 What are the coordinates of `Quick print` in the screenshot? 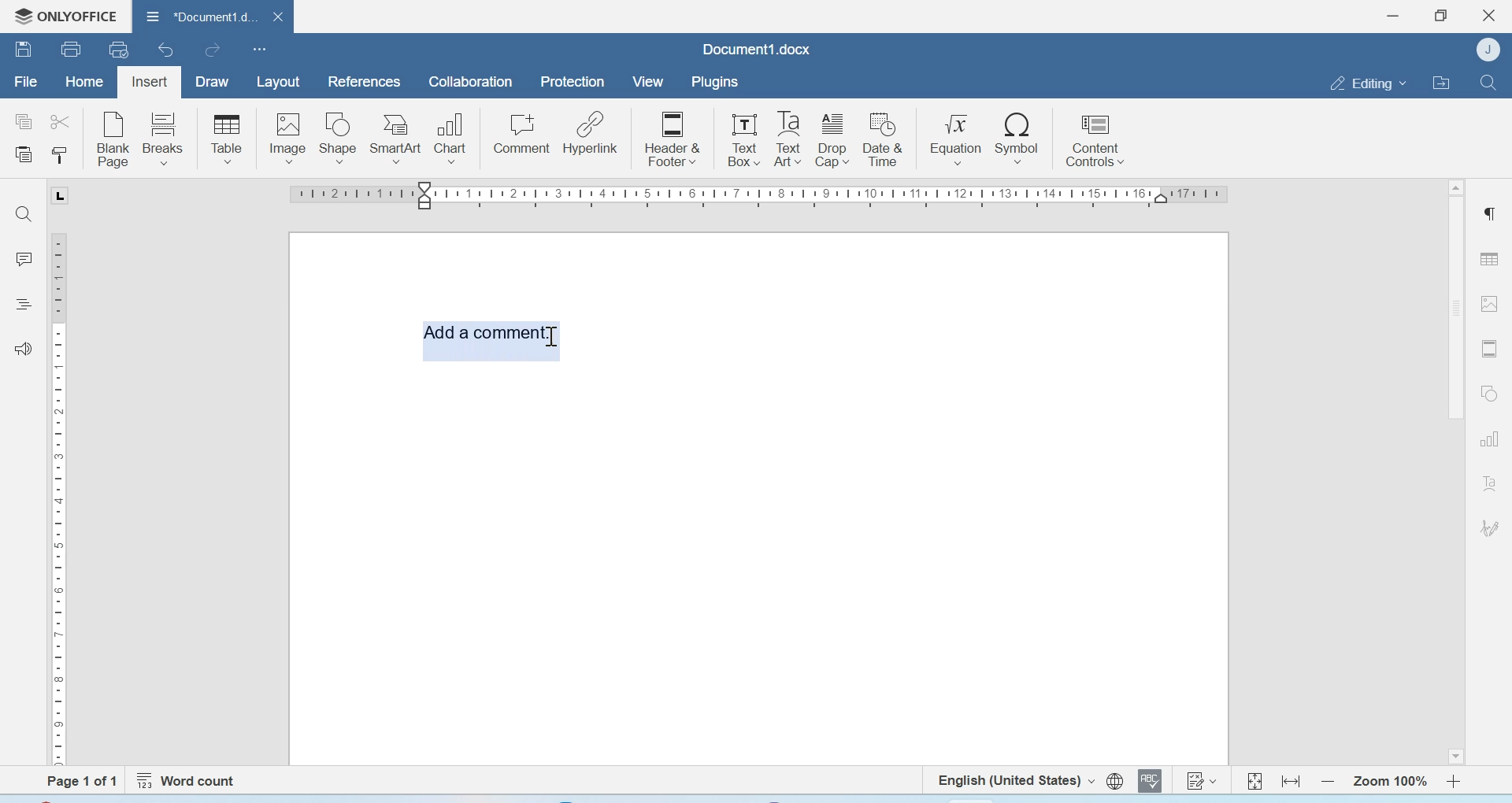 It's located at (119, 49).